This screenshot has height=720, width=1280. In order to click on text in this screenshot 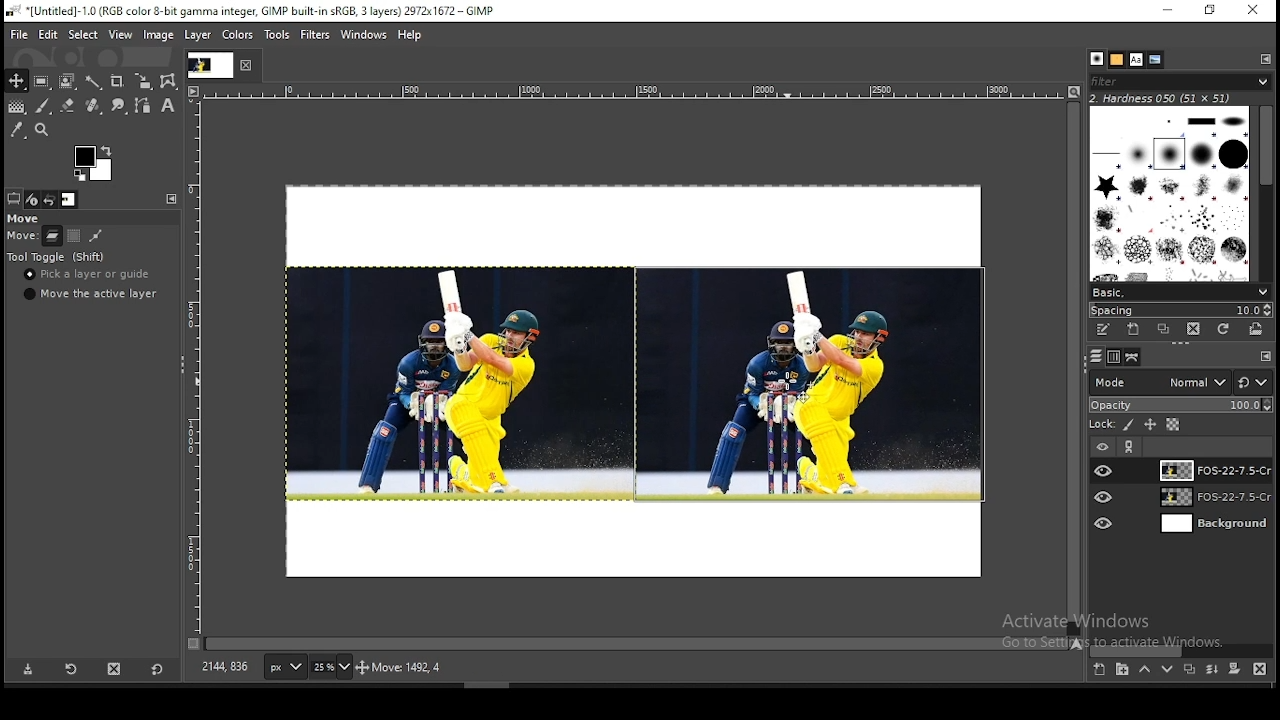, I will do `click(498, 668)`.